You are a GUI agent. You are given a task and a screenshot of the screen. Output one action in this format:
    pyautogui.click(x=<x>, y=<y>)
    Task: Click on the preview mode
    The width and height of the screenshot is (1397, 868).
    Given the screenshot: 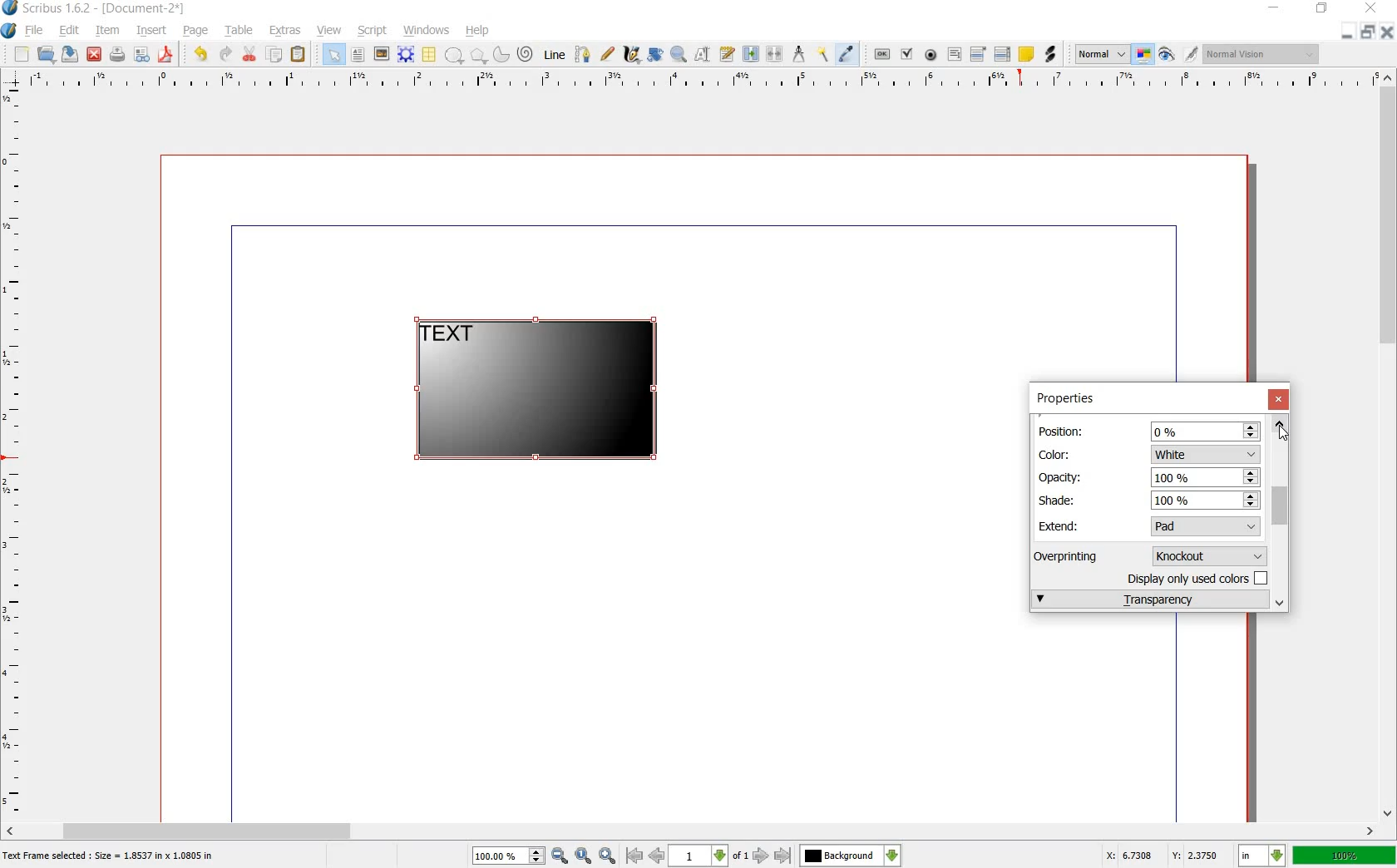 What is the action you would take?
    pyautogui.click(x=1167, y=54)
    